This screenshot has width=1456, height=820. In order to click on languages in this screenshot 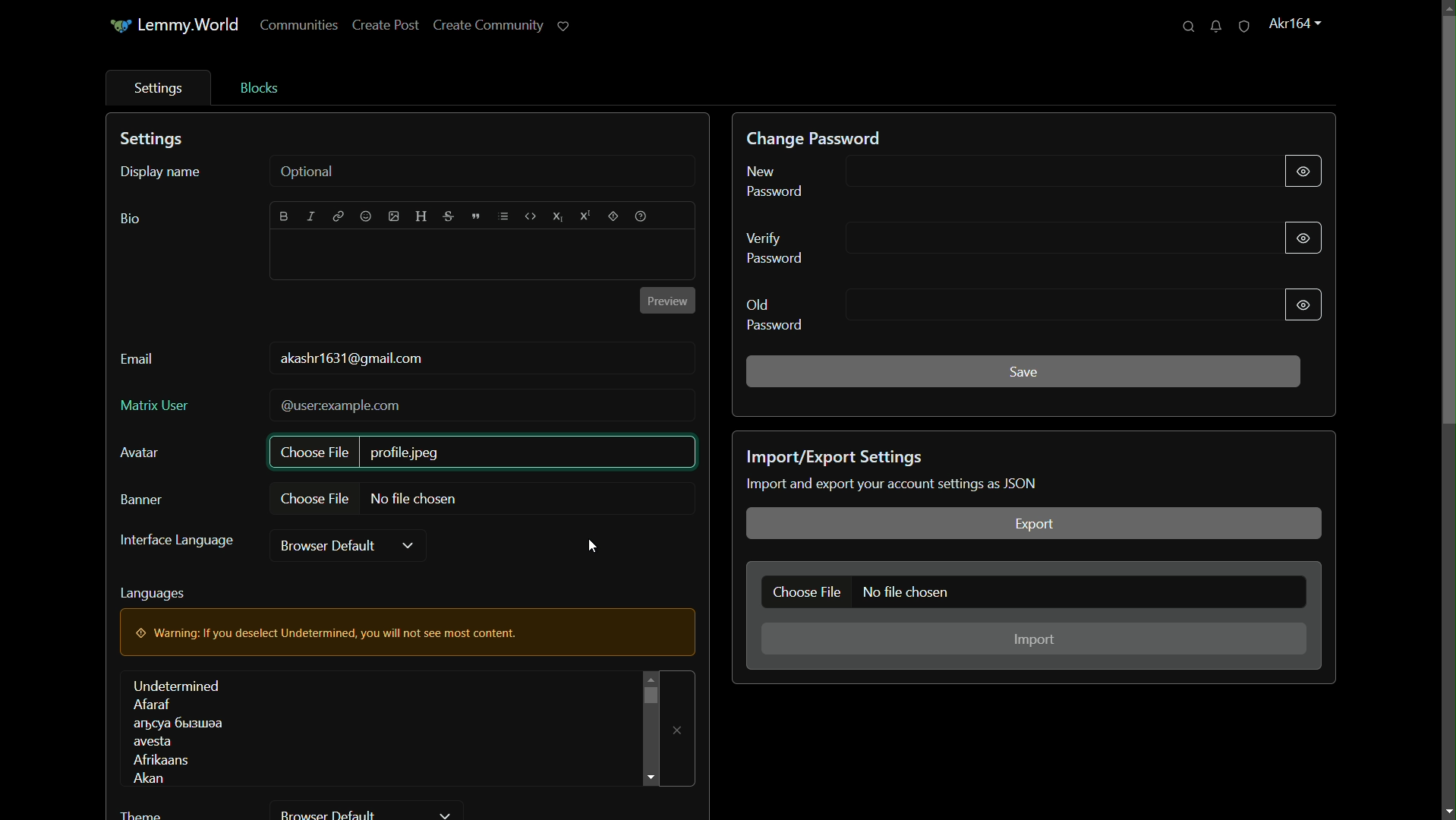, I will do `click(153, 594)`.